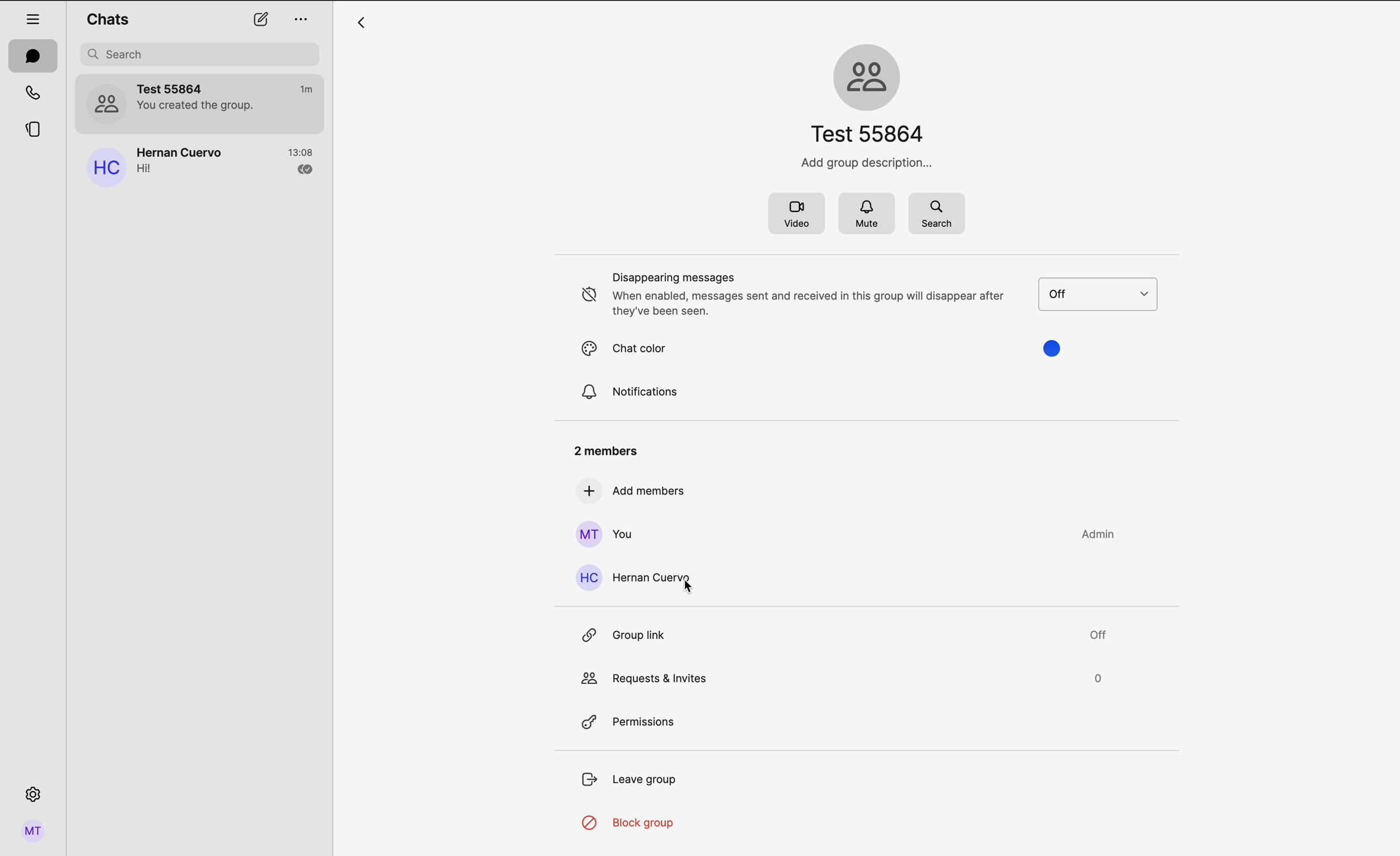  I want to click on 2 members, so click(609, 451).